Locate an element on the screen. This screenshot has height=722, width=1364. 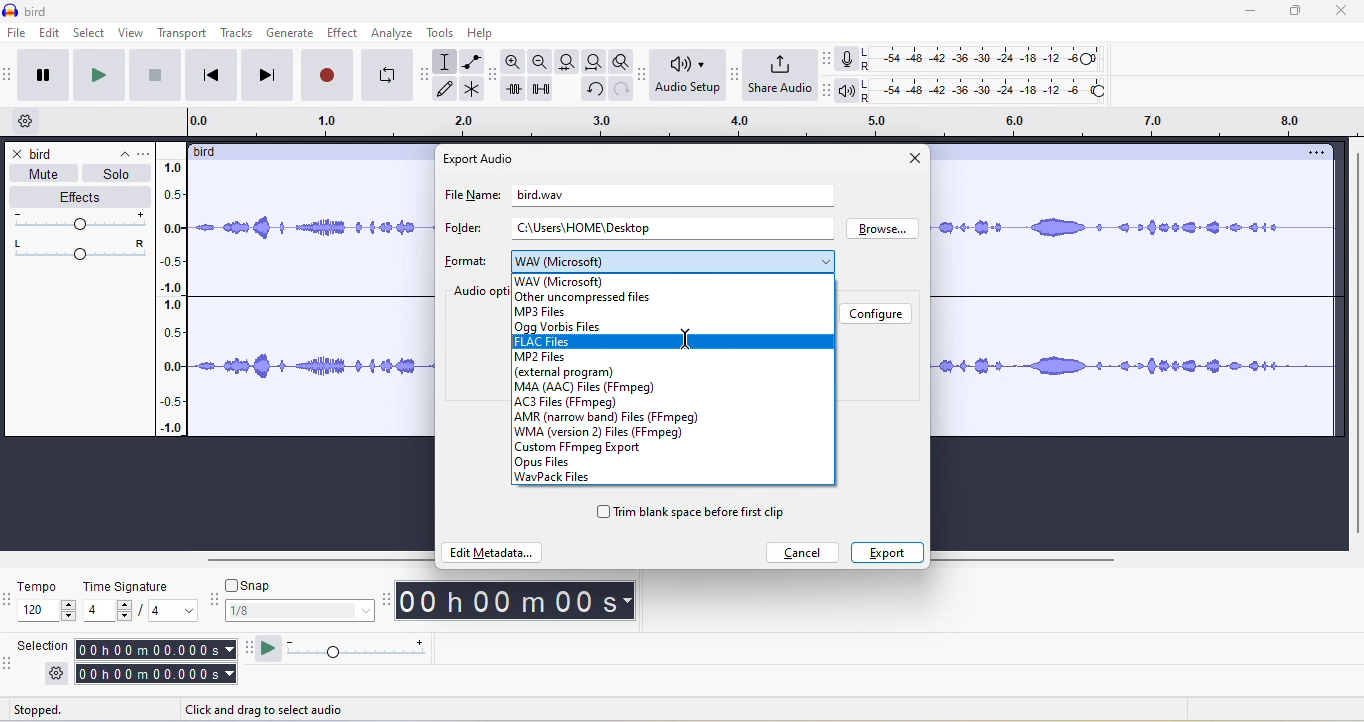
enable looping is located at coordinates (387, 76).